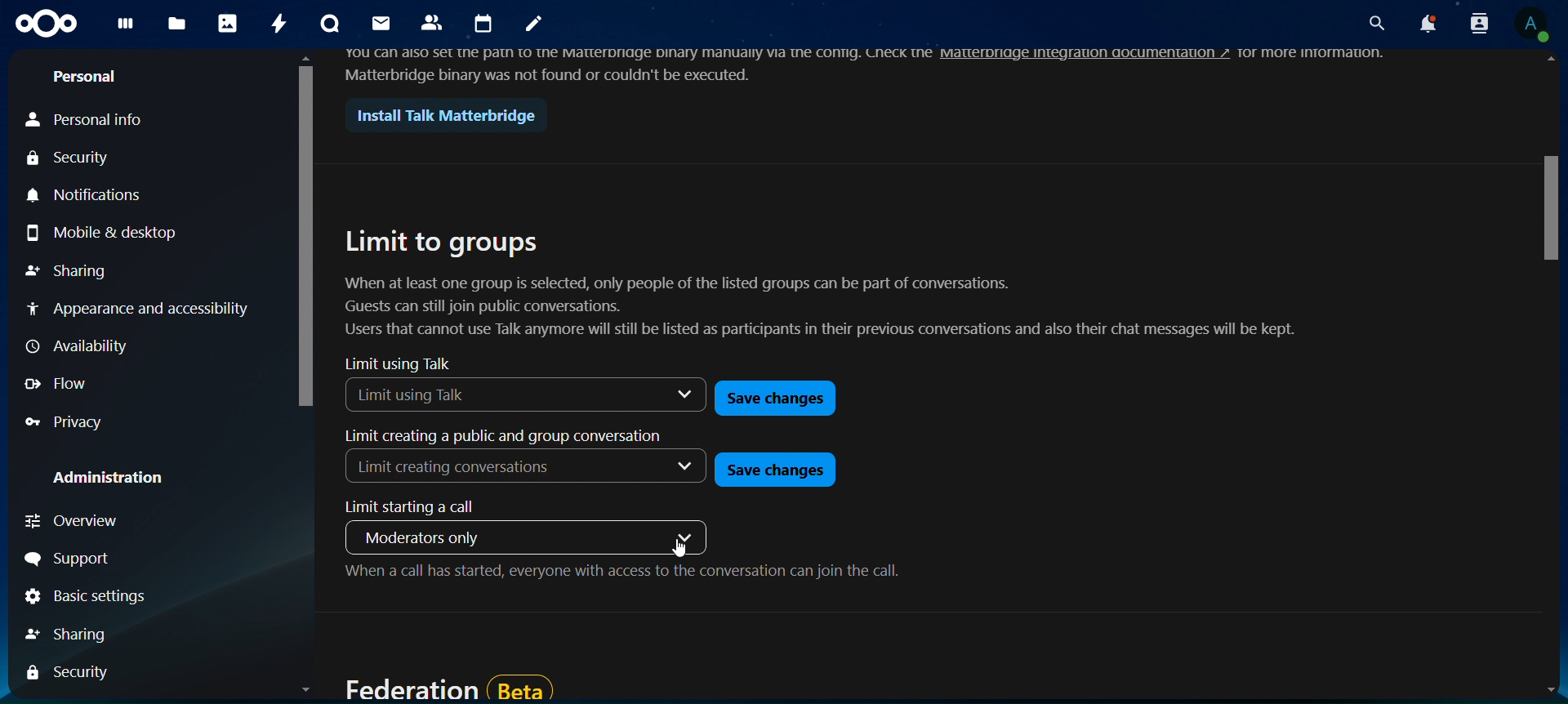 The image size is (1568, 704). Describe the element at coordinates (280, 23) in the screenshot. I see `activity` at that location.